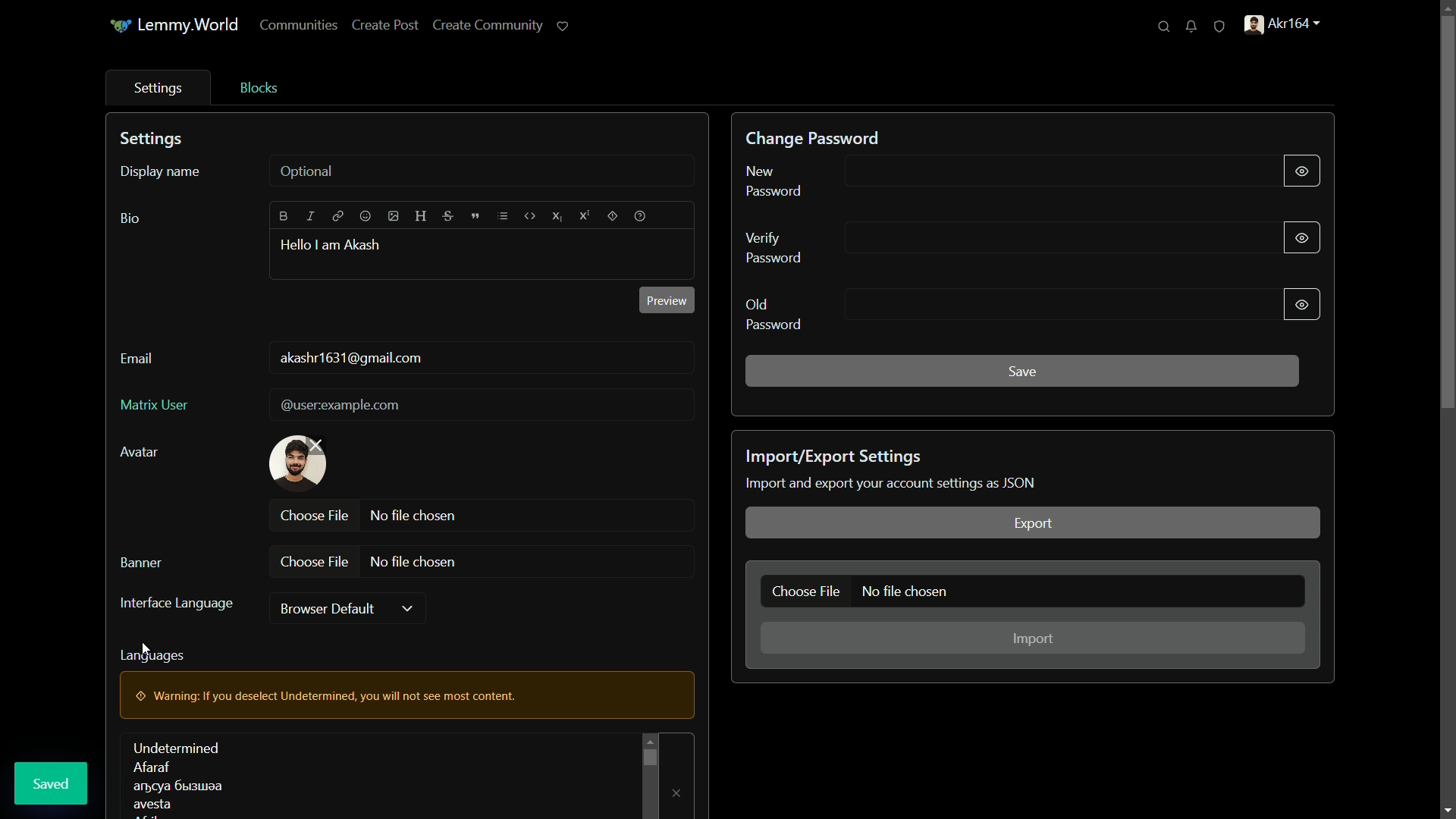 Image resolution: width=1456 pixels, height=819 pixels. Describe the element at coordinates (905, 591) in the screenshot. I see `no file chosen` at that location.